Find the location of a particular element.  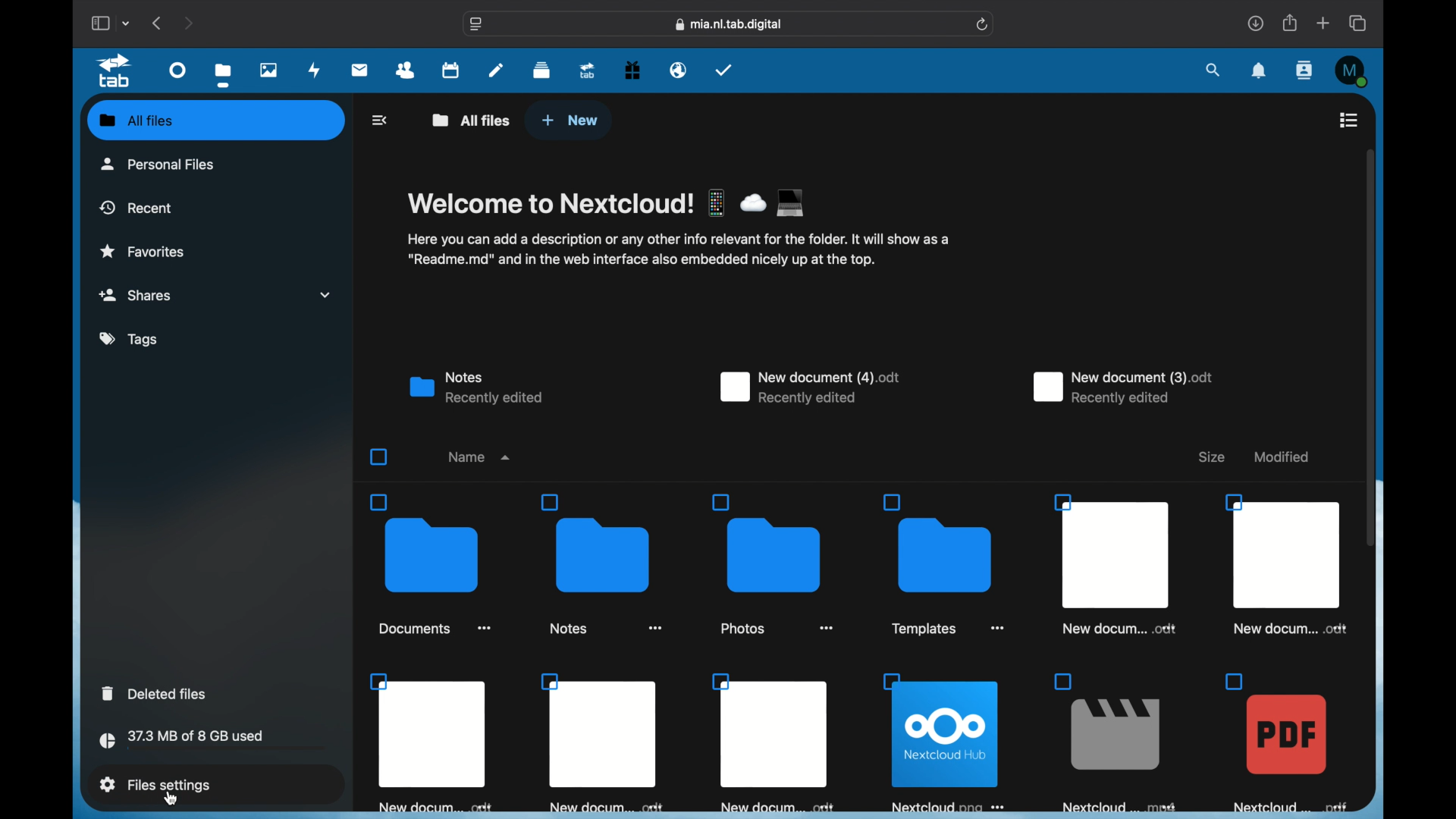

all files is located at coordinates (136, 120).